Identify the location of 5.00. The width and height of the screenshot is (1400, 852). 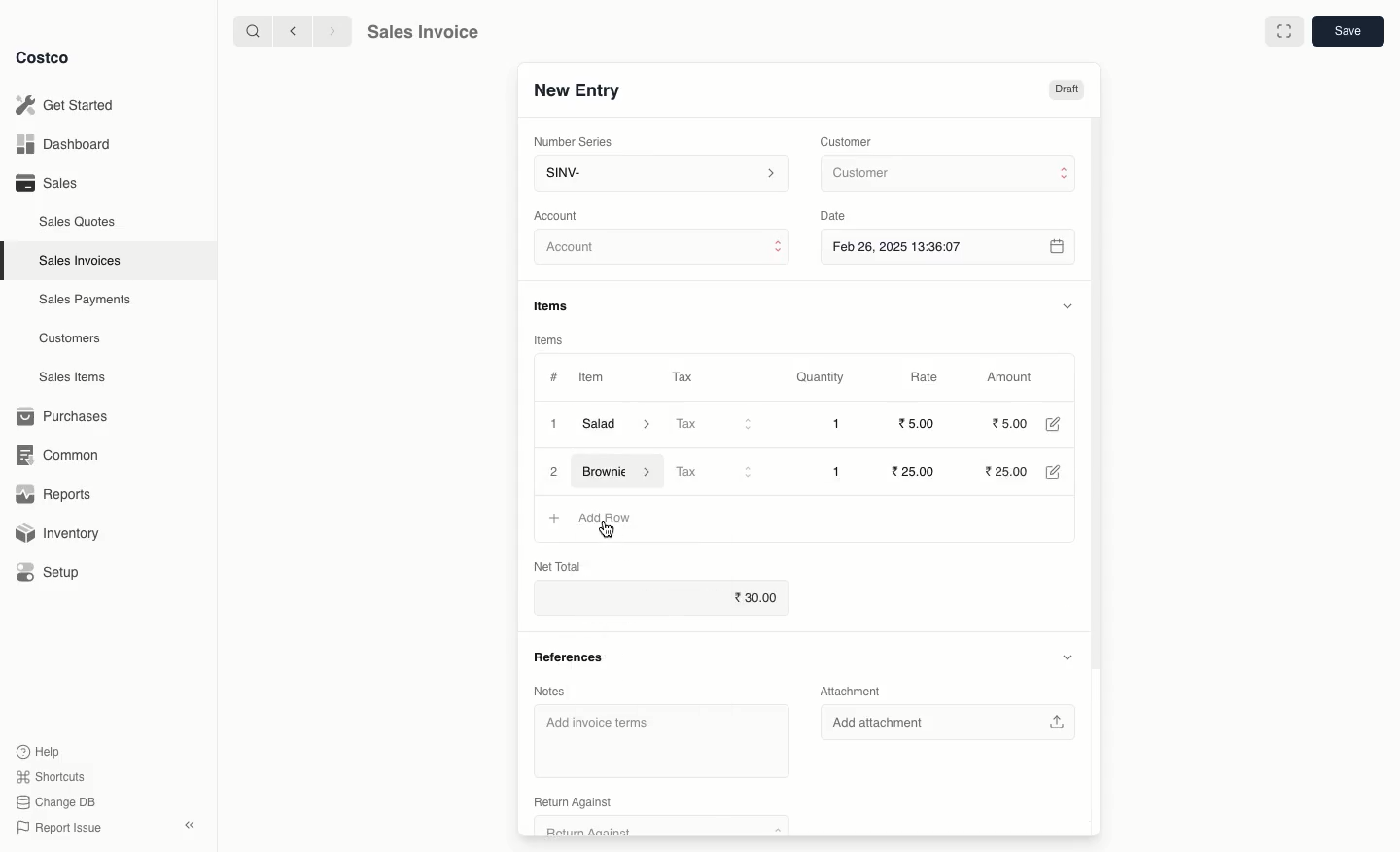
(920, 423).